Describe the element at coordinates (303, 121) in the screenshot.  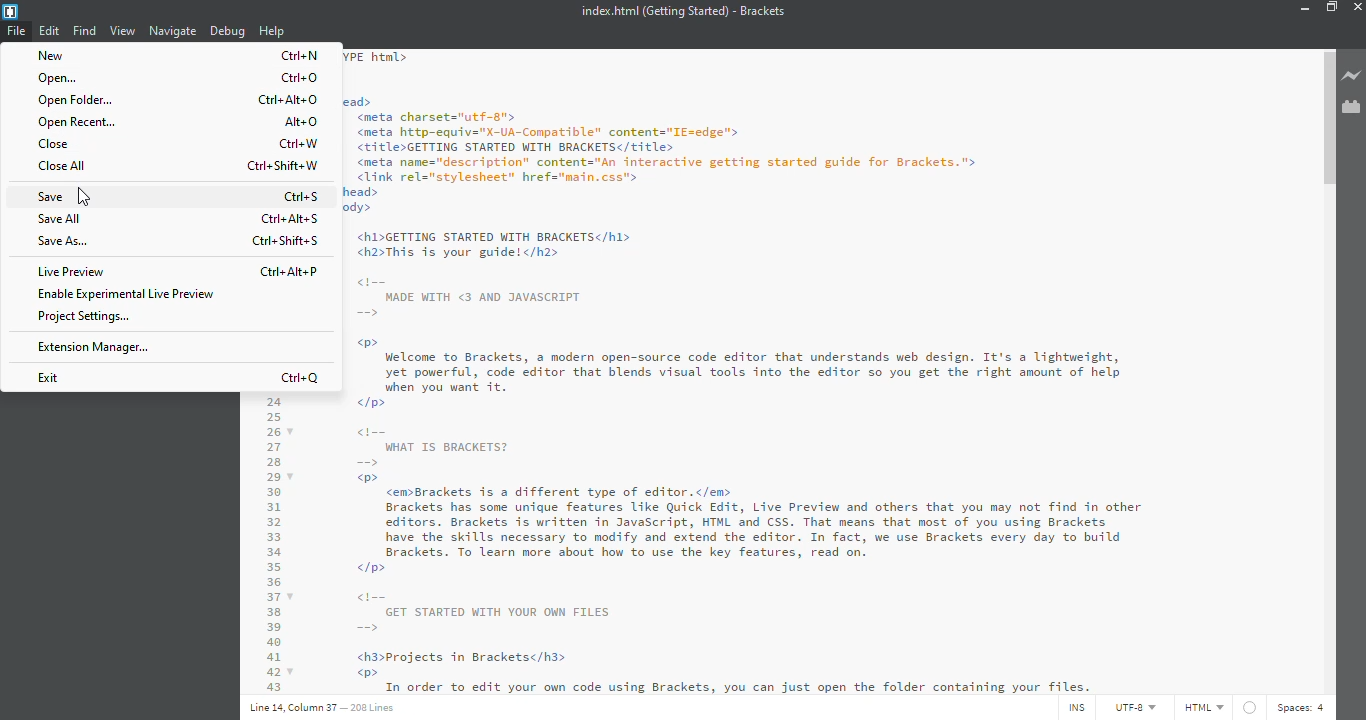
I see `alt+o` at that location.